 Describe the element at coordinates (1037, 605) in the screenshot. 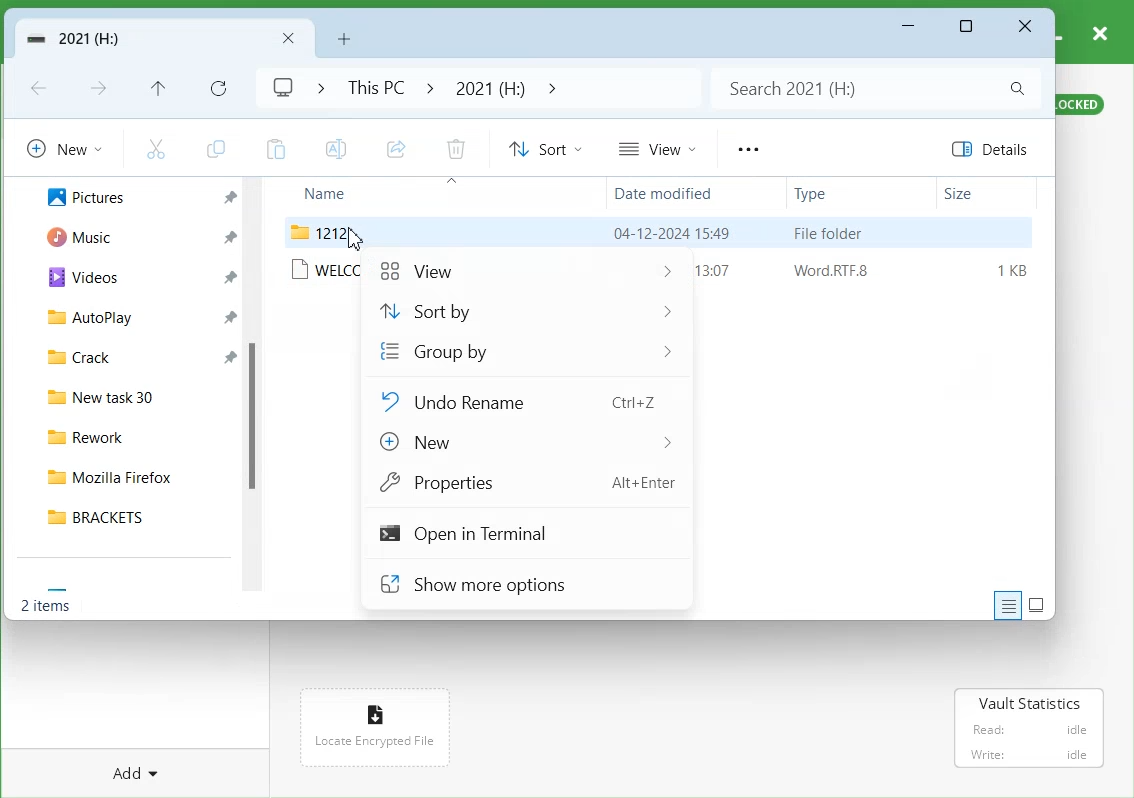

I see `Display item by using large thumbnail` at that location.